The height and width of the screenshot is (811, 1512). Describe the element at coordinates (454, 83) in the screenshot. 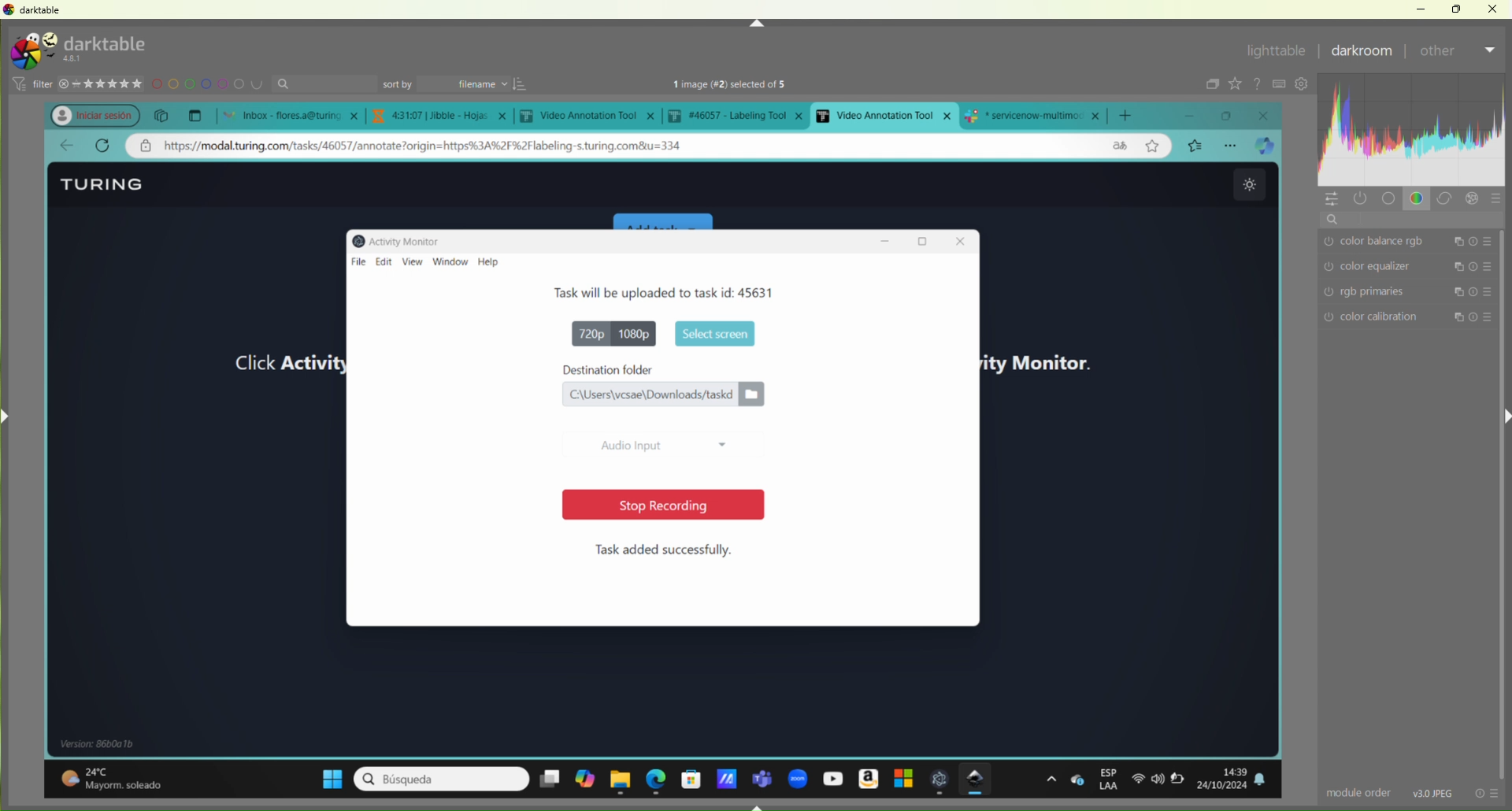

I see `sort by` at that location.